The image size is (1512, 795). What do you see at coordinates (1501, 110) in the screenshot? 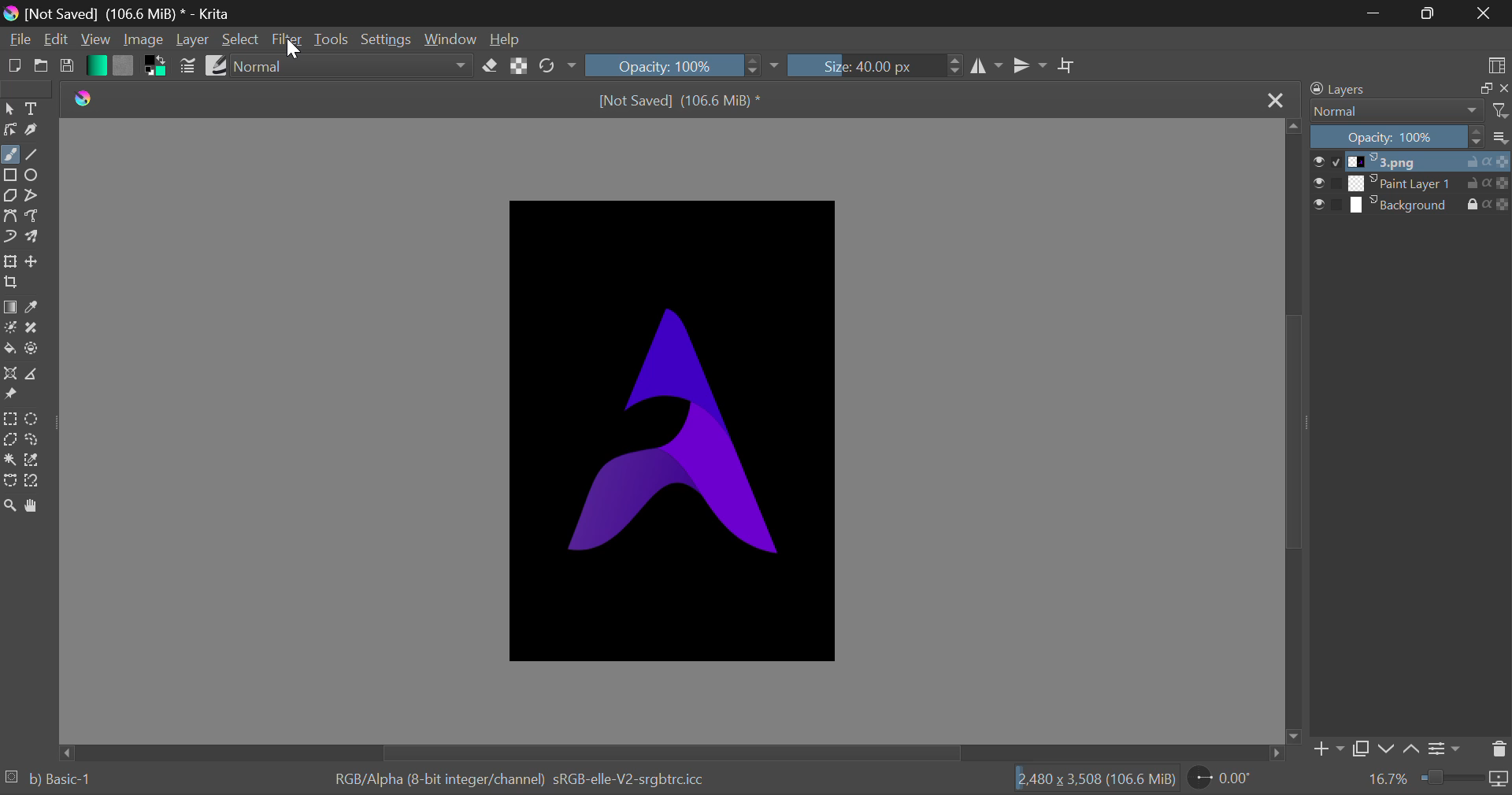
I see `filter` at bounding box center [1501, 110].